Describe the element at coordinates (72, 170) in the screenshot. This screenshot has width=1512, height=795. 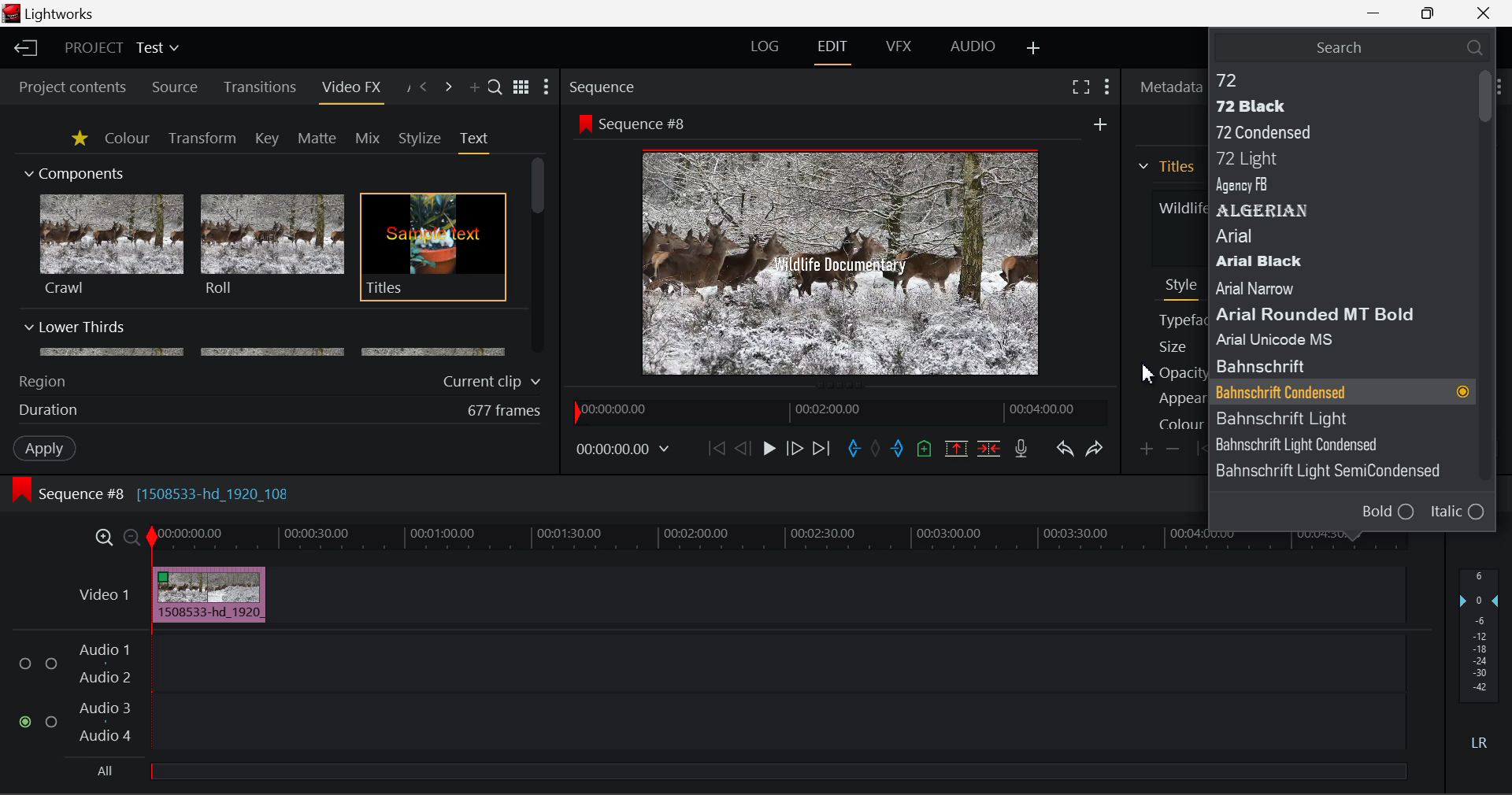
I see `Components Section` at that location.